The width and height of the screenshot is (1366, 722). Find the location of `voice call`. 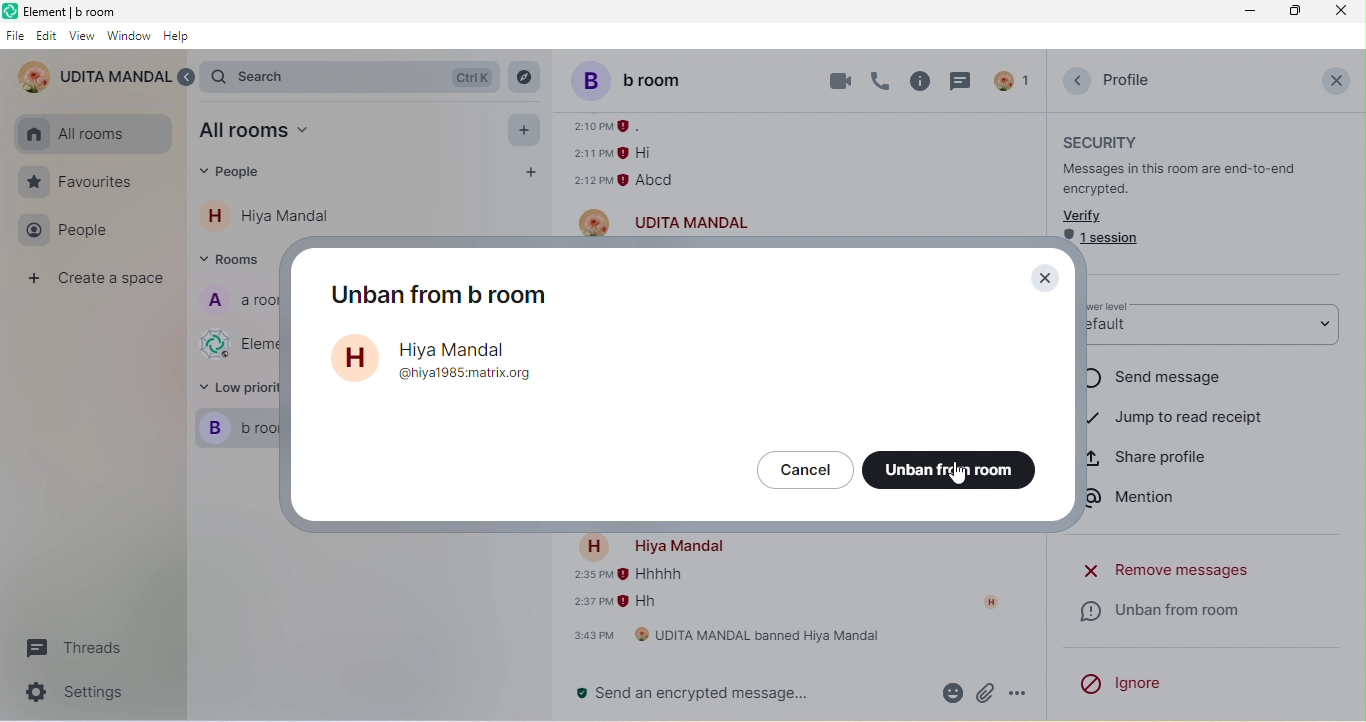

voice call is located at coordinates (881, 82).